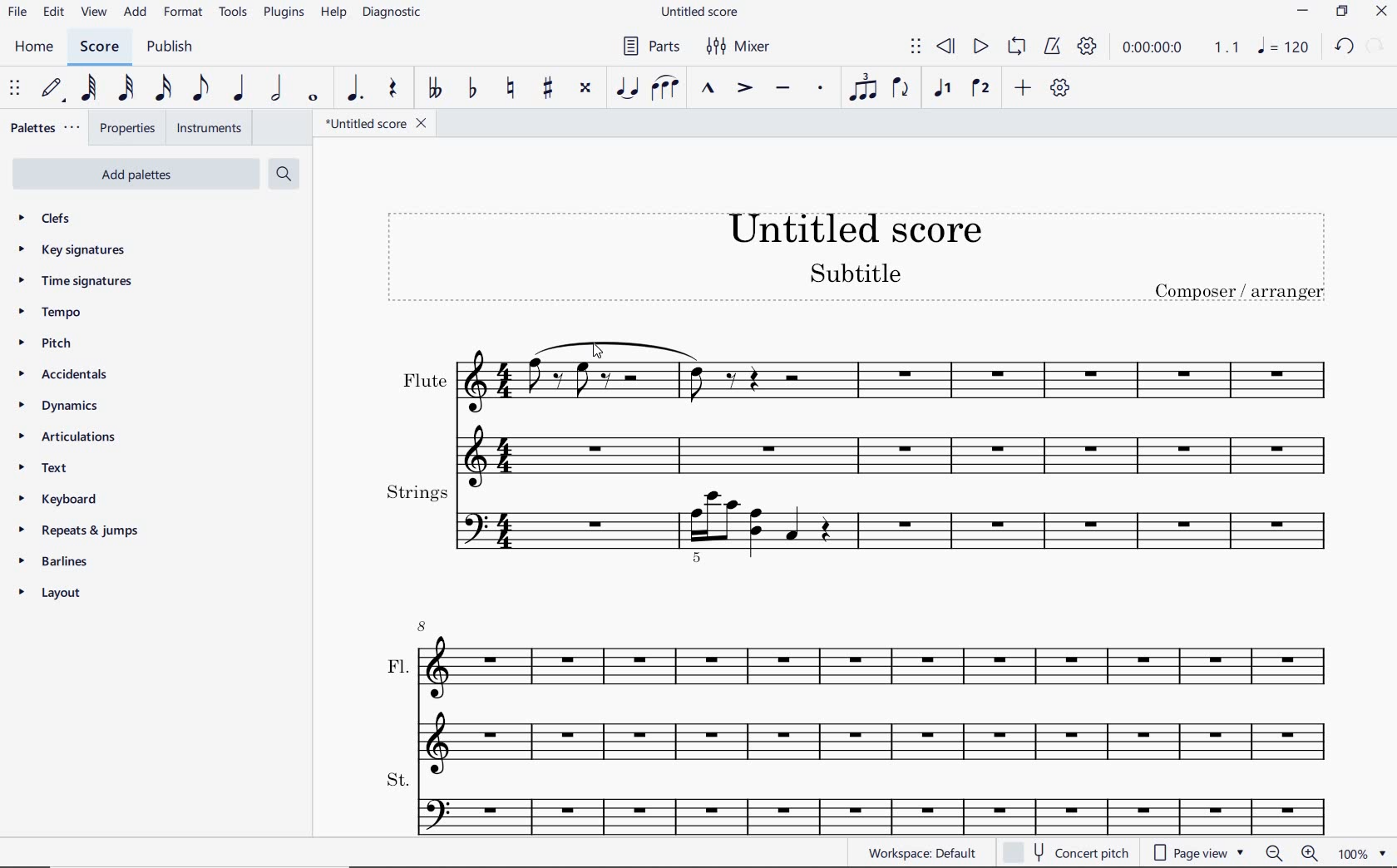  I want to click on search palettes, so click(285, 174).